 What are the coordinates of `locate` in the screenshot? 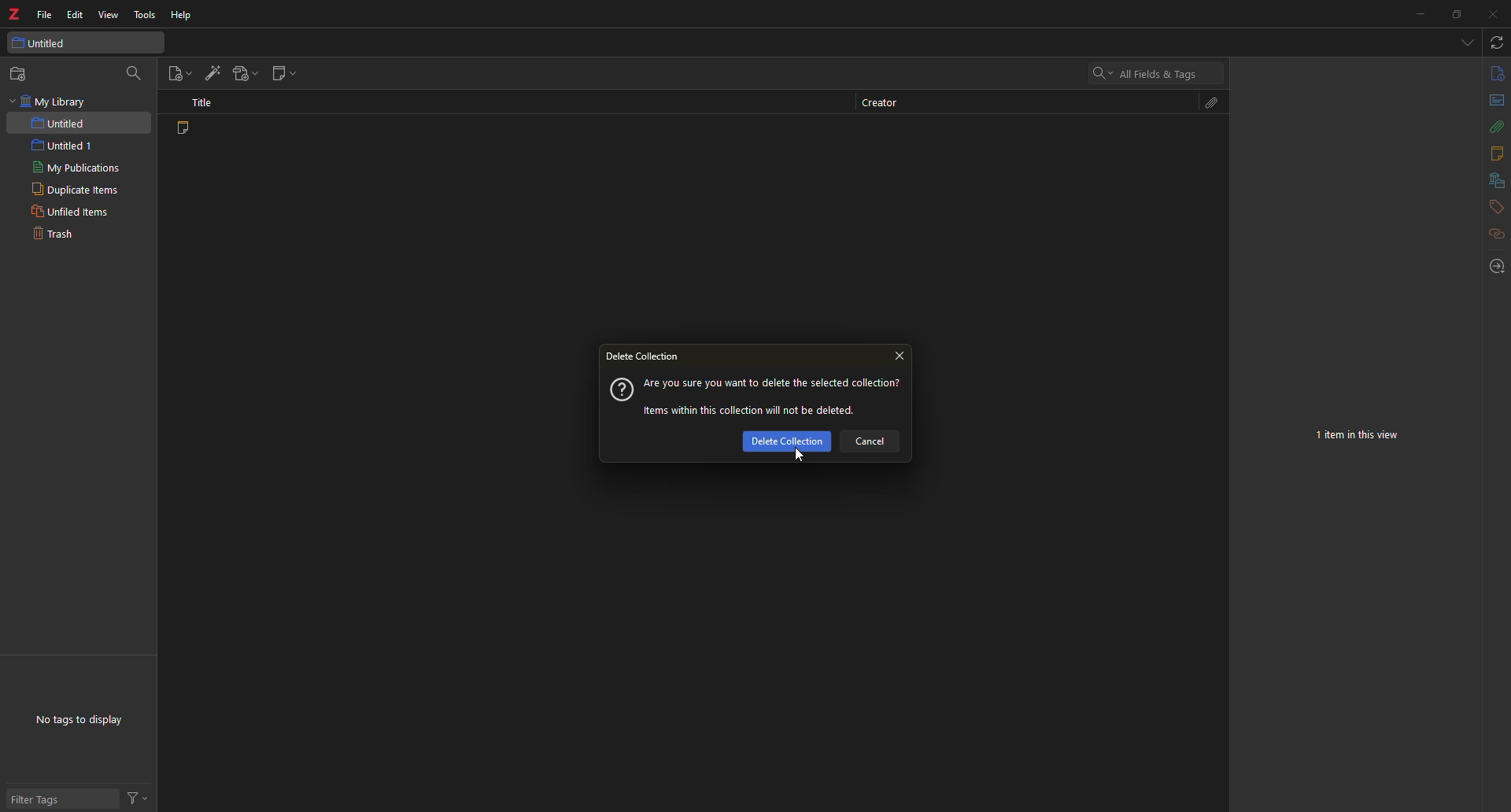 It's located at (1496, 265).